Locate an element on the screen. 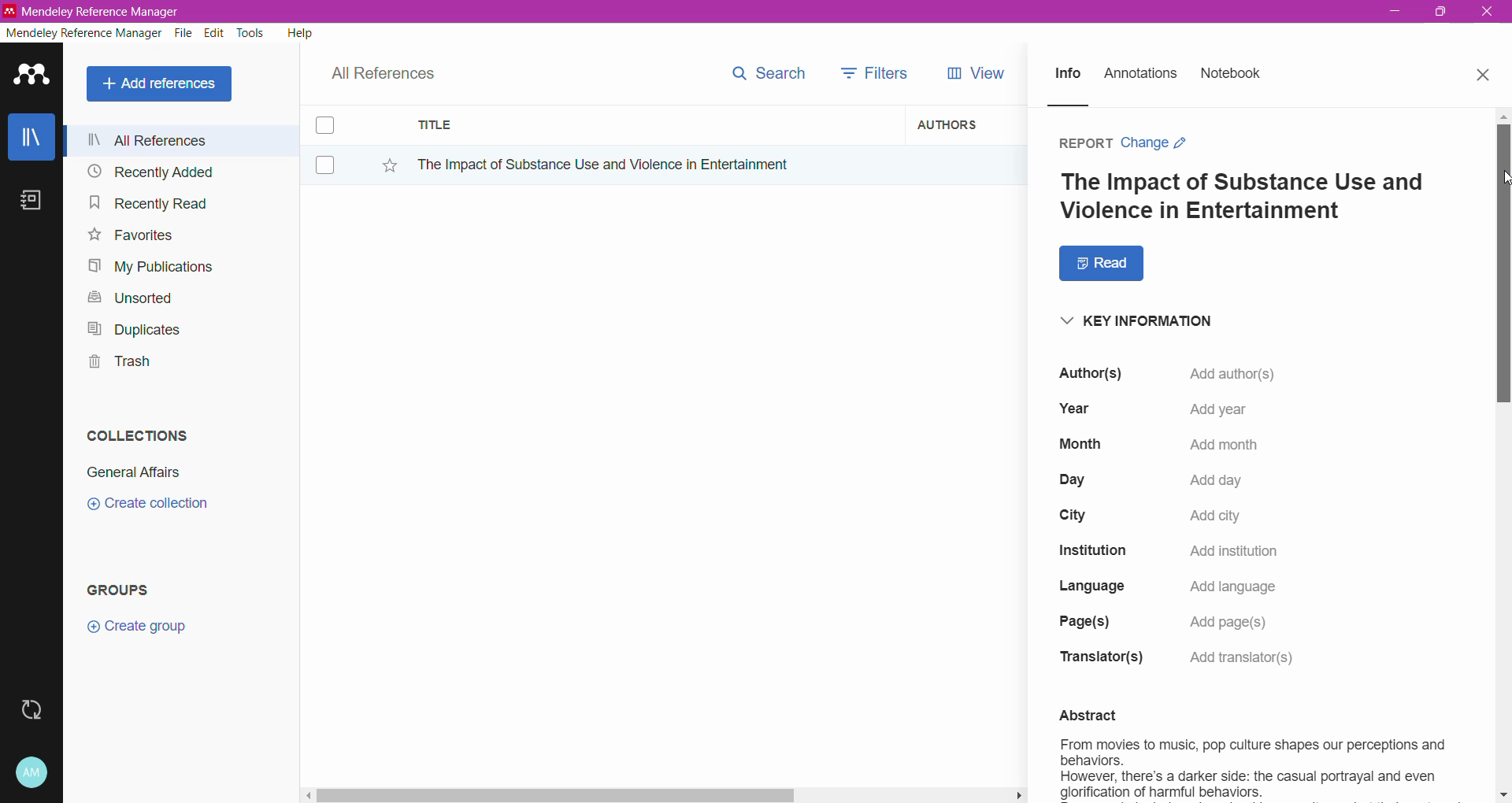 The width and height of the screenshot is (1512, 803). author name is located at coordinates (1183, 372).